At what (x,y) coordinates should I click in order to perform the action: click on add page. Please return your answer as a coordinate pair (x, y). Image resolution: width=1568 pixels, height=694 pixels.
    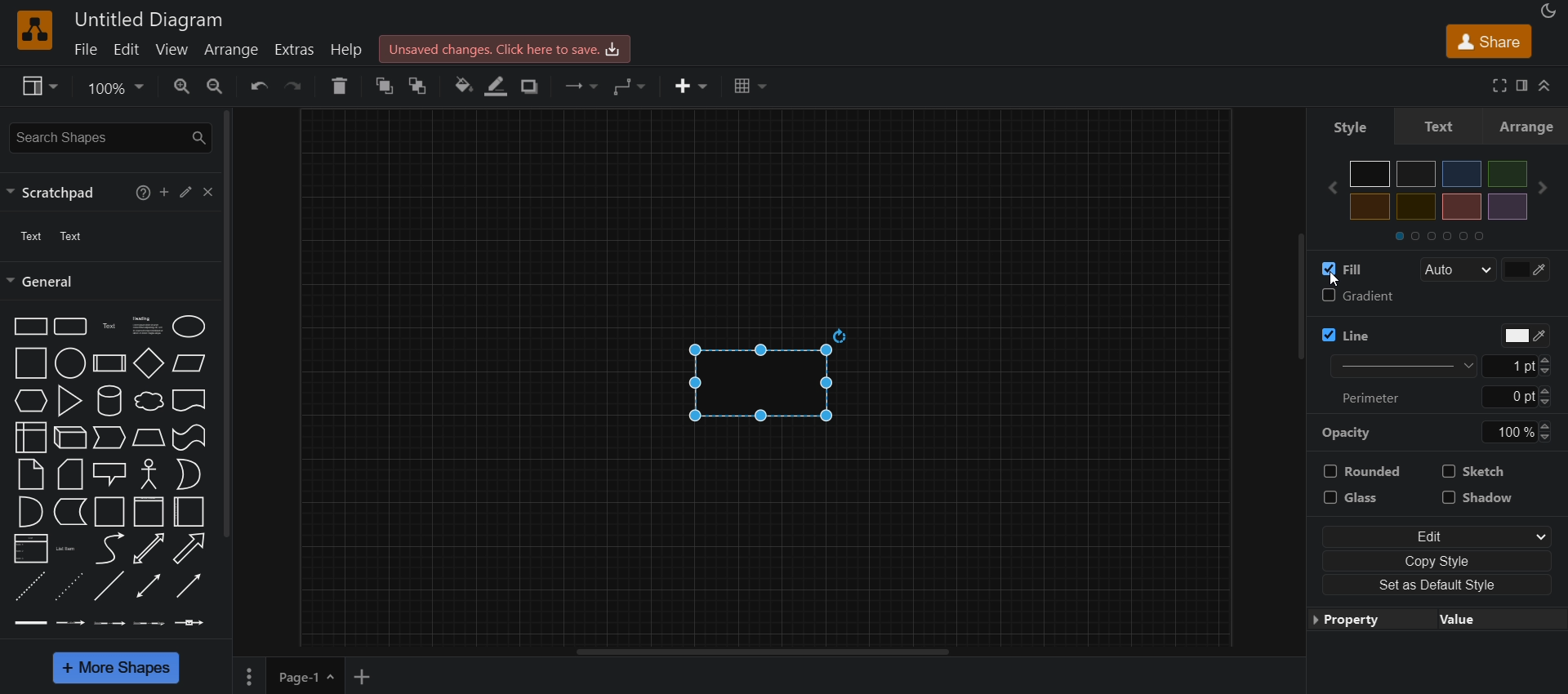
    Looking at the image, I should click on (364, 675).